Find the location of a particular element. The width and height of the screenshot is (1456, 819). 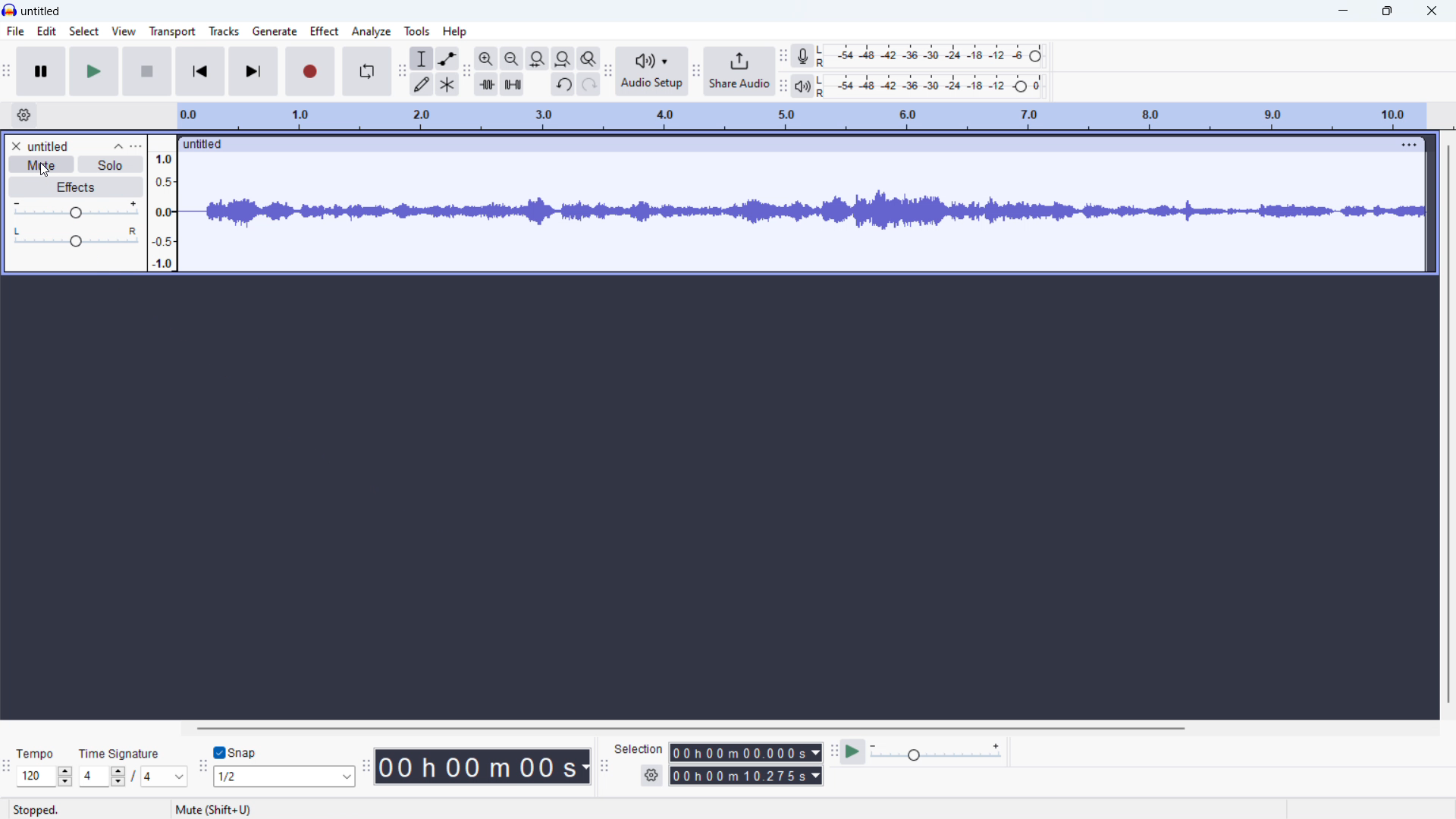

redo is located at coordinates (588, 85).